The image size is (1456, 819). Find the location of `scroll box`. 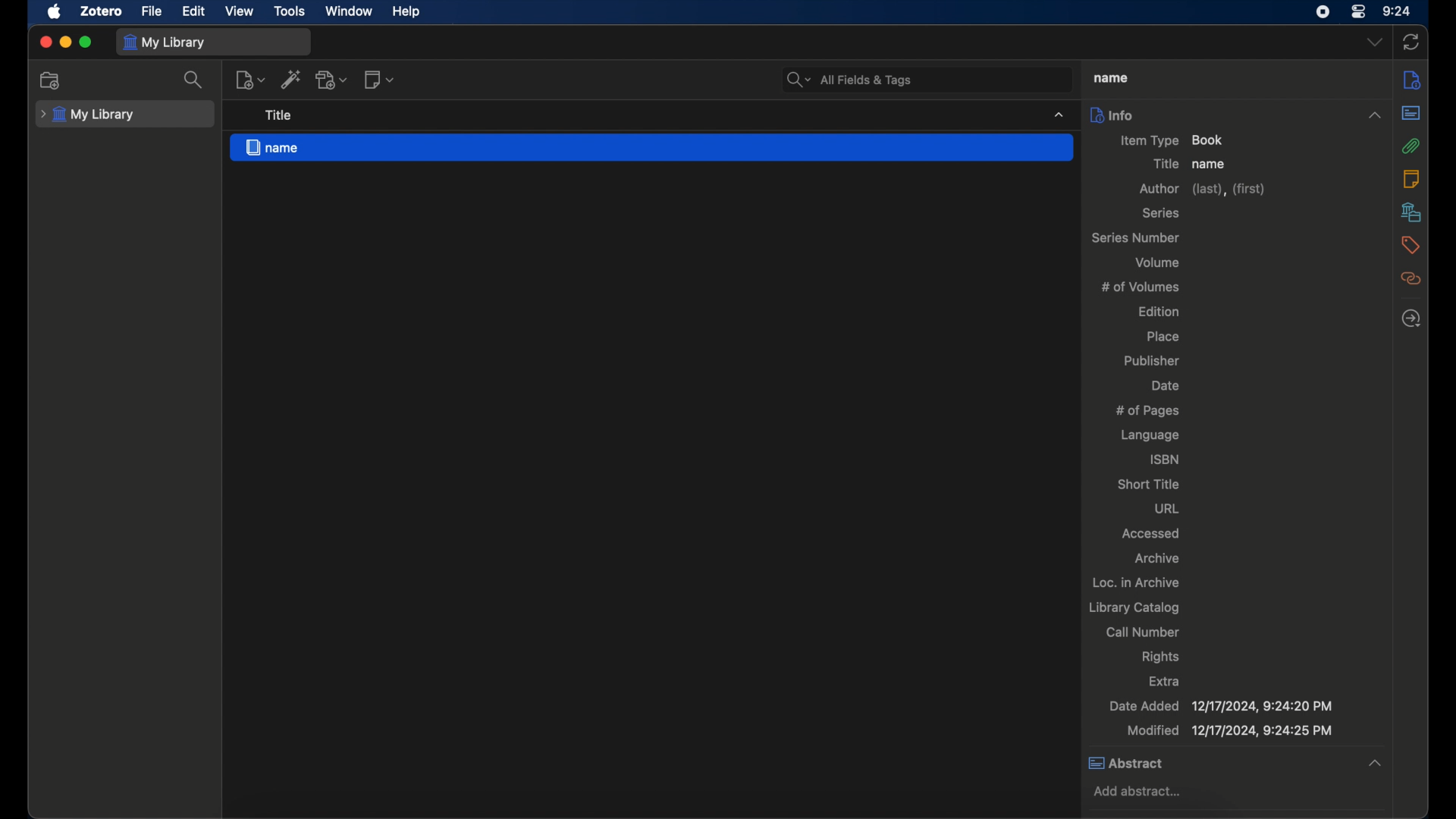

scroll box is located at coordinates (1388, 380).